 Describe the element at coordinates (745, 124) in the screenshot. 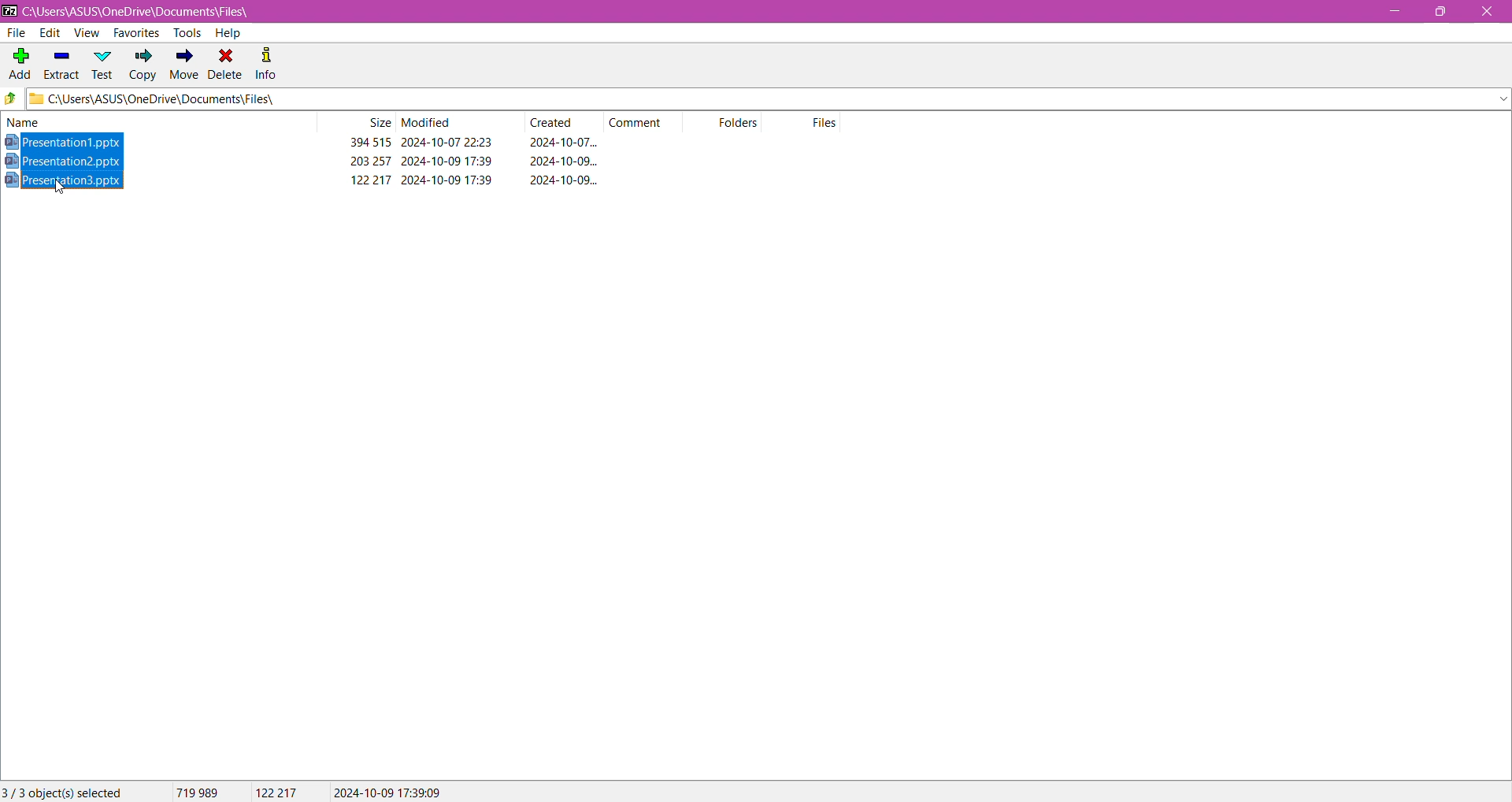

I see `Folders` at that location.